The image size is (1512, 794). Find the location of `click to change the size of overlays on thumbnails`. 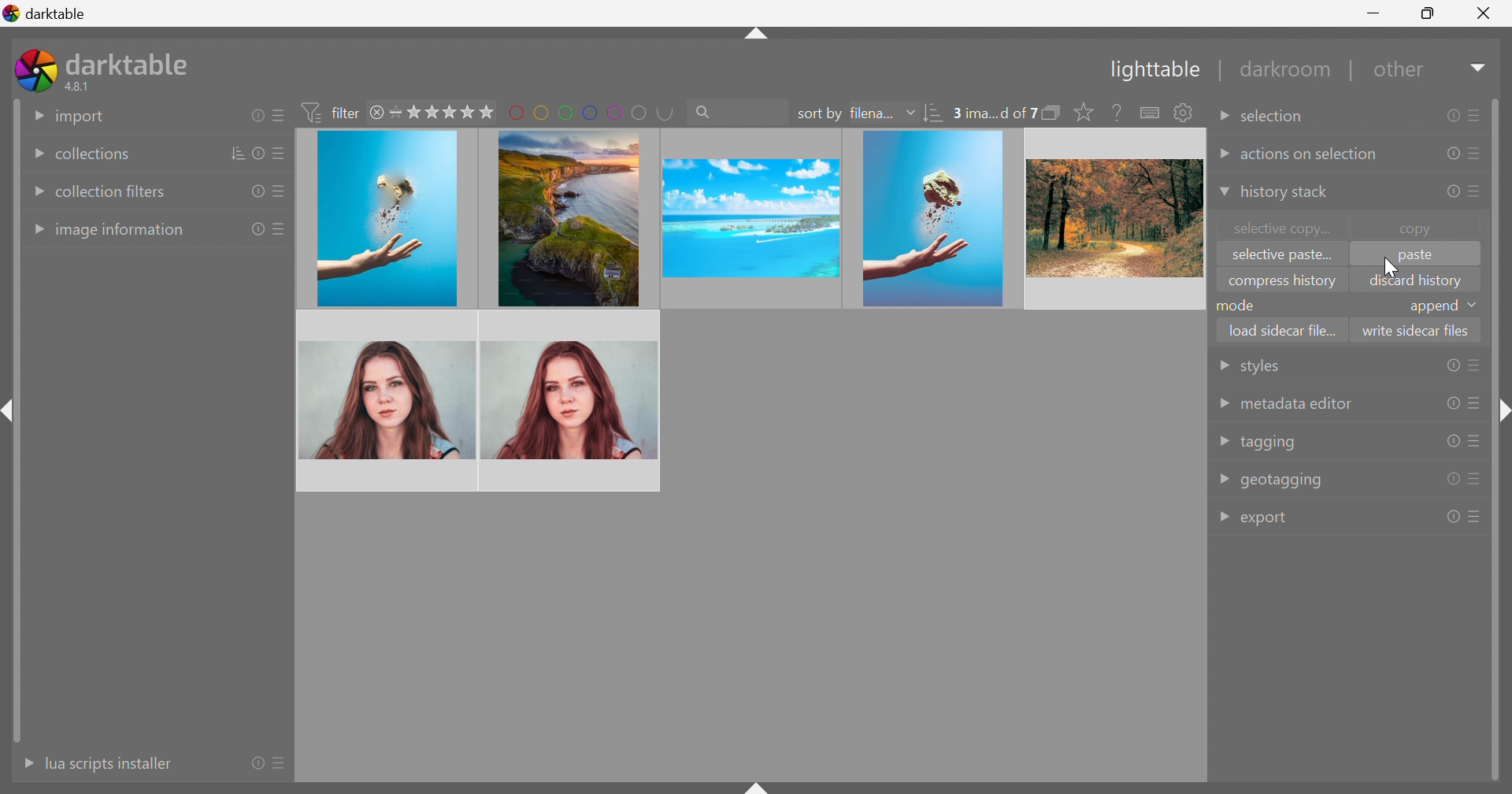

click to change the size of overlays on thumbnails is located at coordinates (1080, 113).